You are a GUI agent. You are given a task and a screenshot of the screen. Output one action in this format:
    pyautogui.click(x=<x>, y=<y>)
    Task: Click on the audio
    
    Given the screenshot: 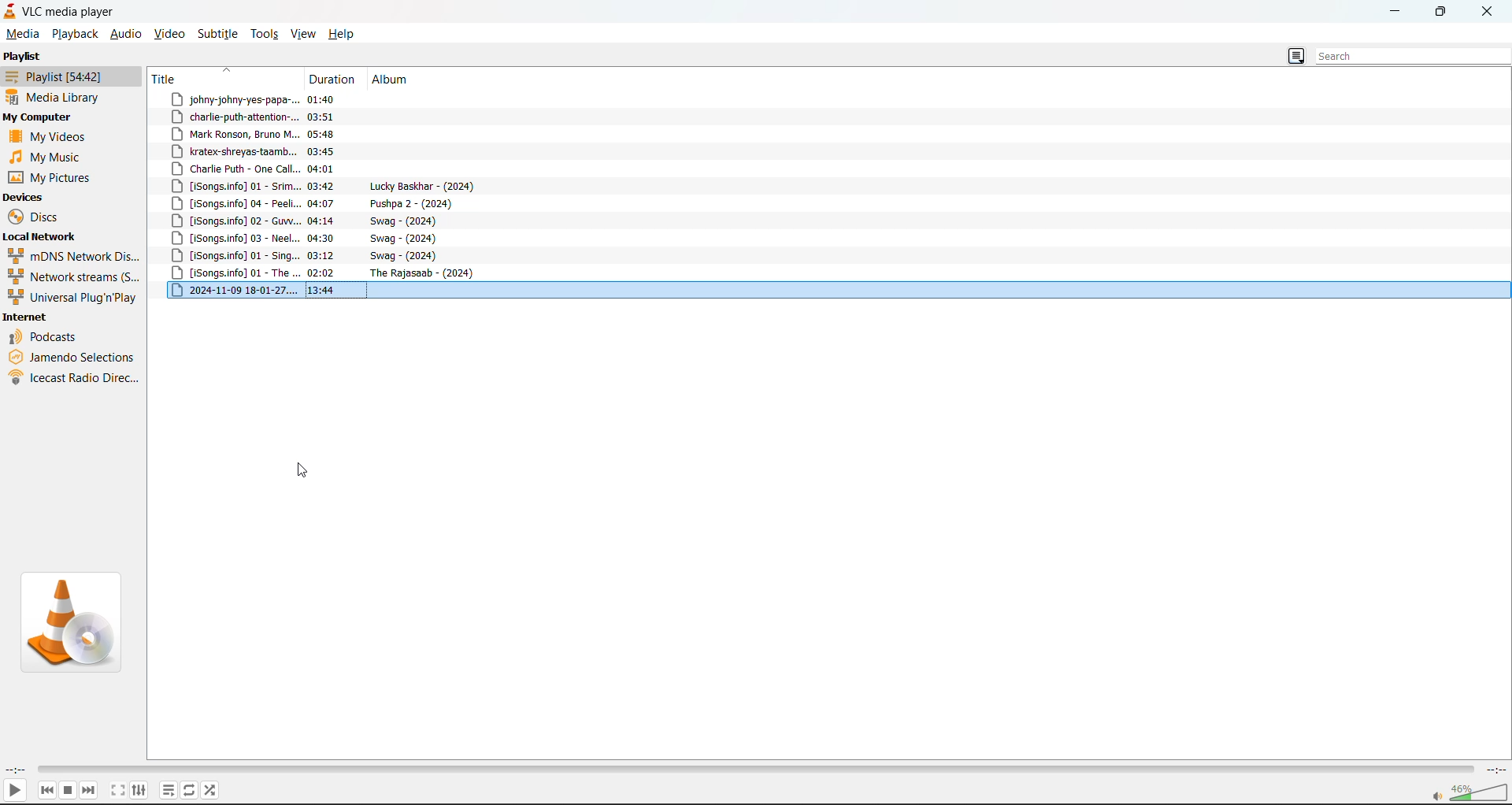 What is the action you would take?
    pyautogui.click(x=126, y=33)
    